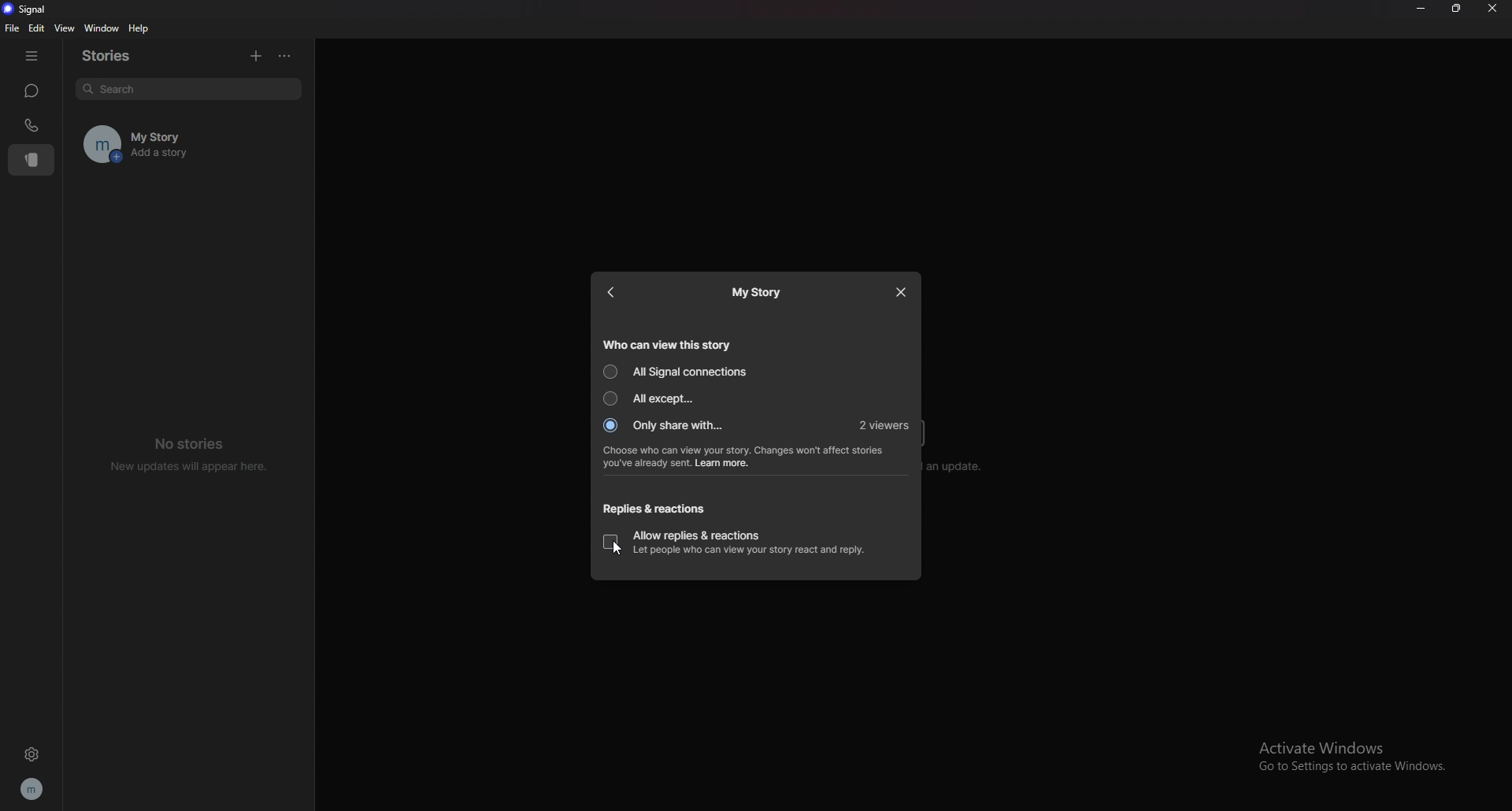 This screenshot has width=1512, height=811. I want to click on hide tab, so click(32, 54).